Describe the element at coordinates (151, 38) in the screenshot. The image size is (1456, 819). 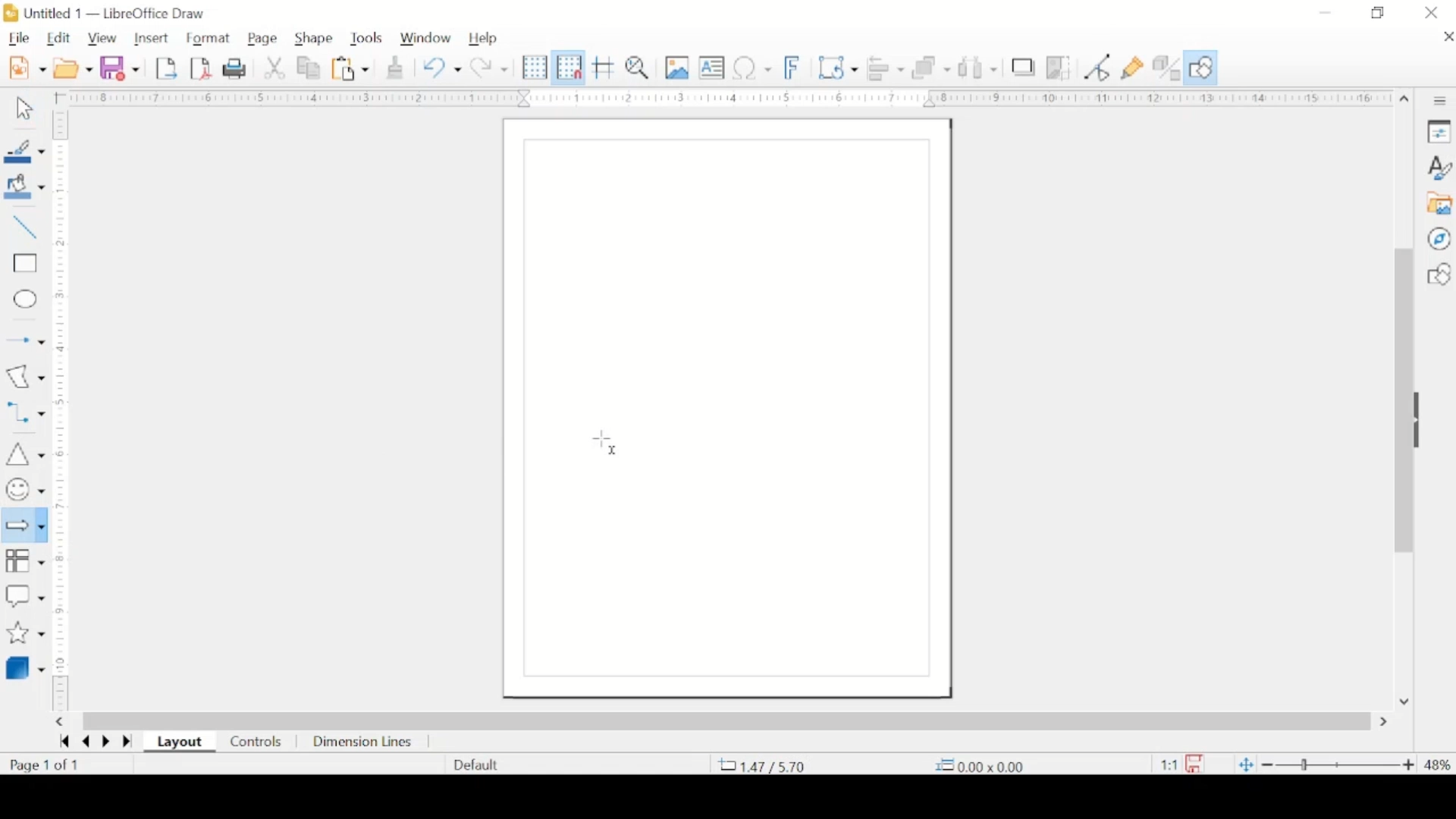
I see `insert` at that location.